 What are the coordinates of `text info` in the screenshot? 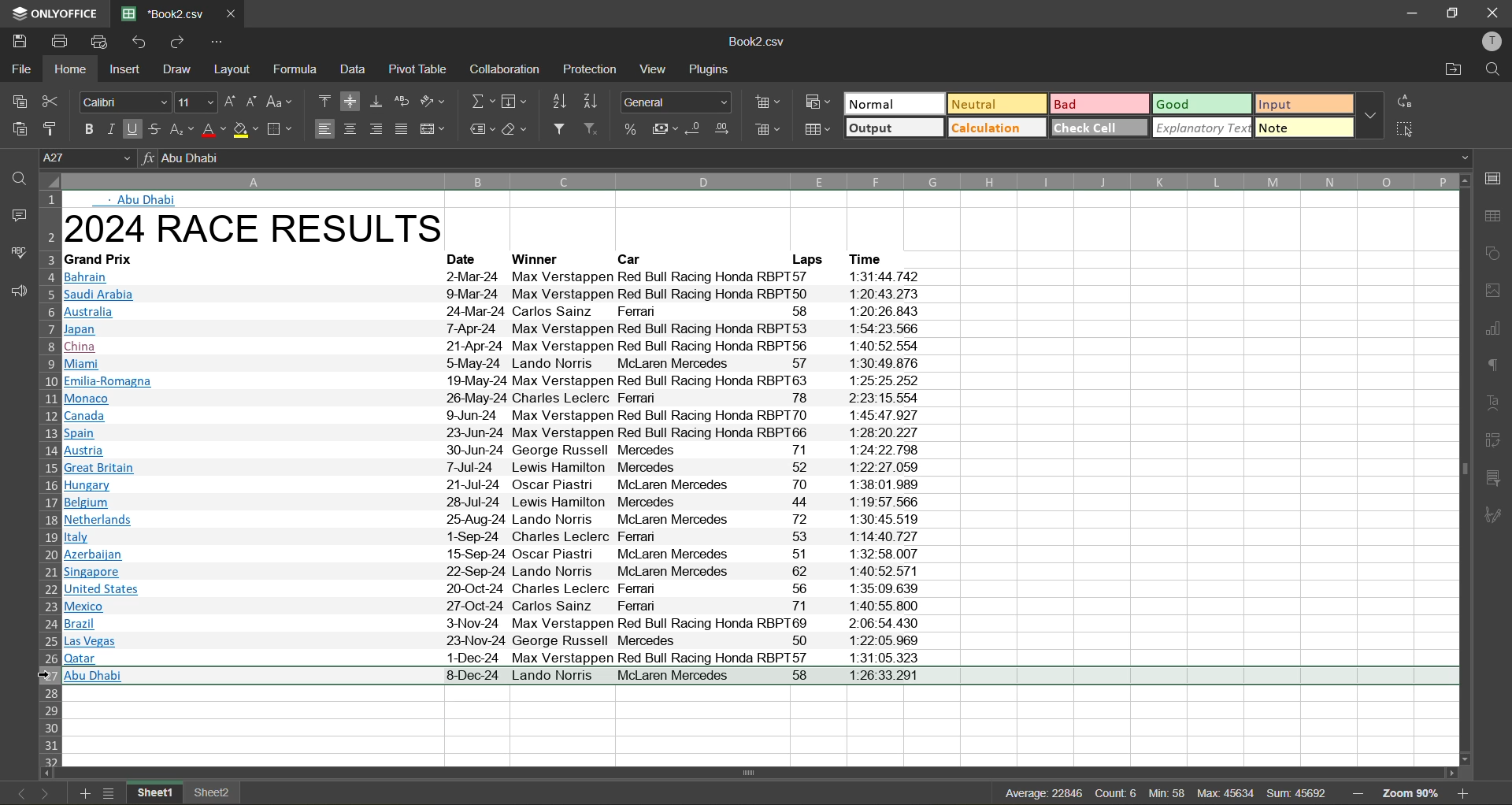 It's located at (493, 295).